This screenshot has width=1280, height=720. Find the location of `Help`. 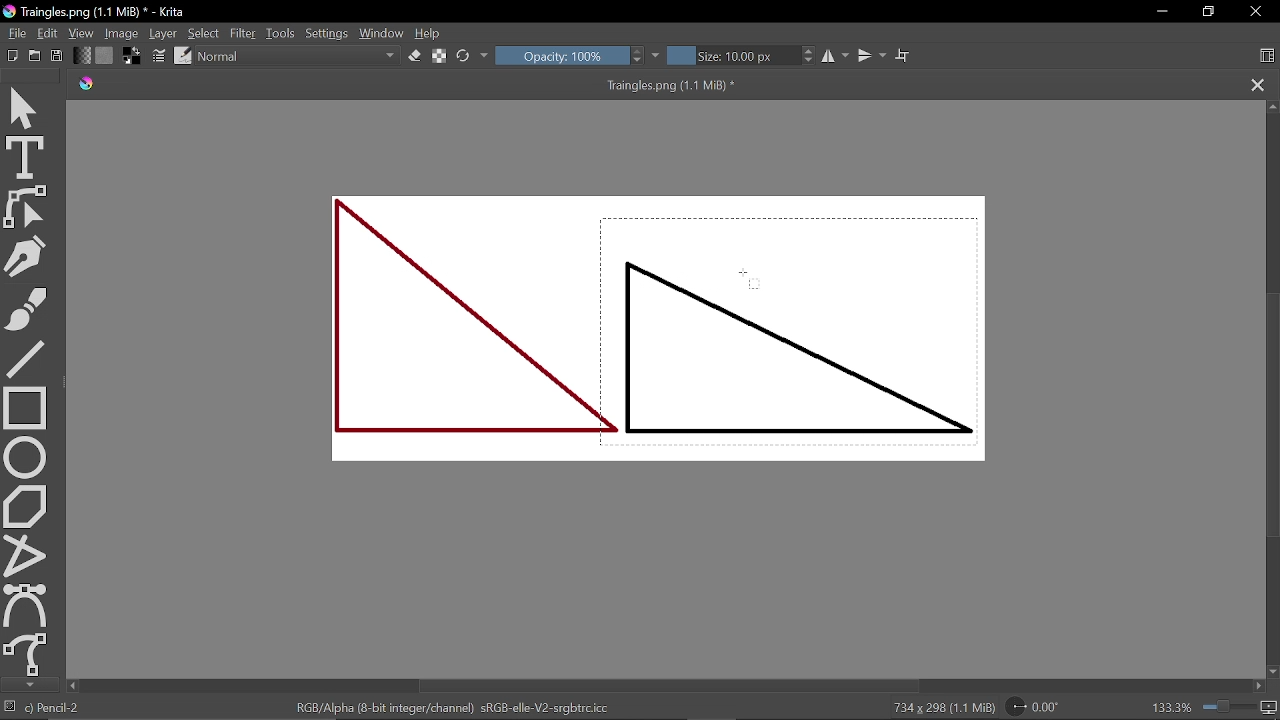

Help is located at coordinates (430, 34).